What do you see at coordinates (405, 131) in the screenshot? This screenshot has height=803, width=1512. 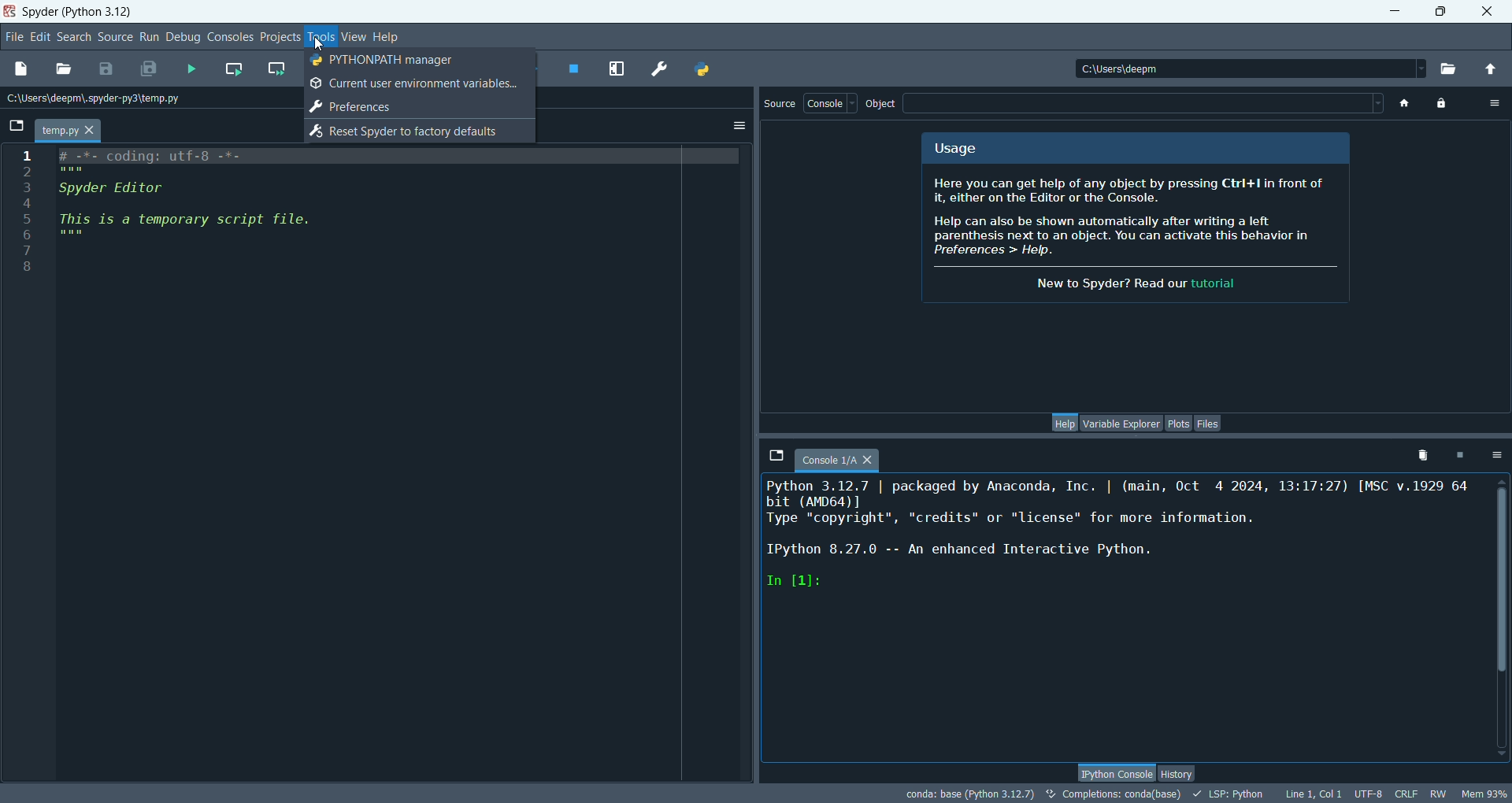 I see `reset spyder to factory defaults` at bounding box center [405, 131].